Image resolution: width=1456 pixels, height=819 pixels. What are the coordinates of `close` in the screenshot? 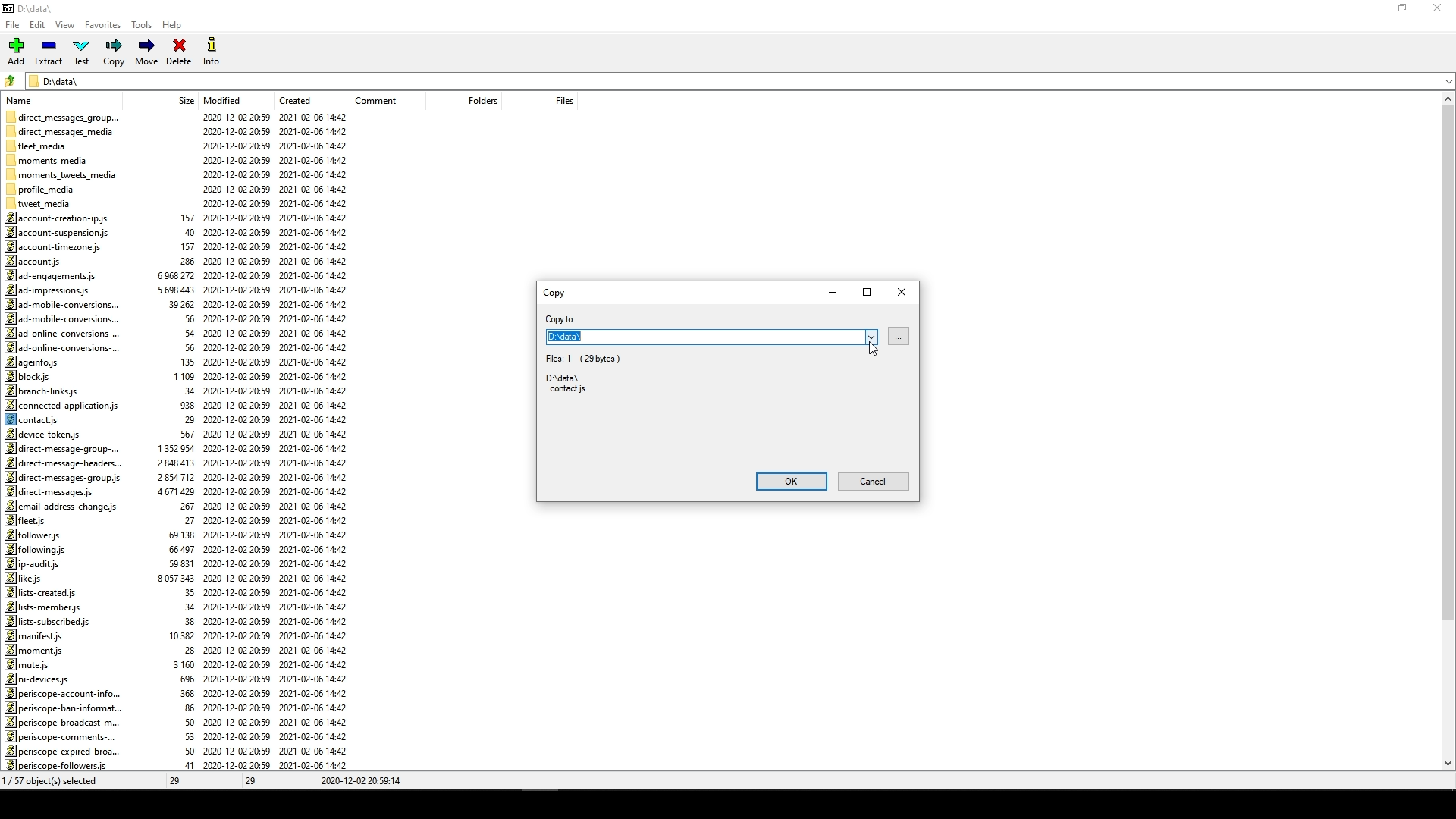 It's located at (1440, 9).